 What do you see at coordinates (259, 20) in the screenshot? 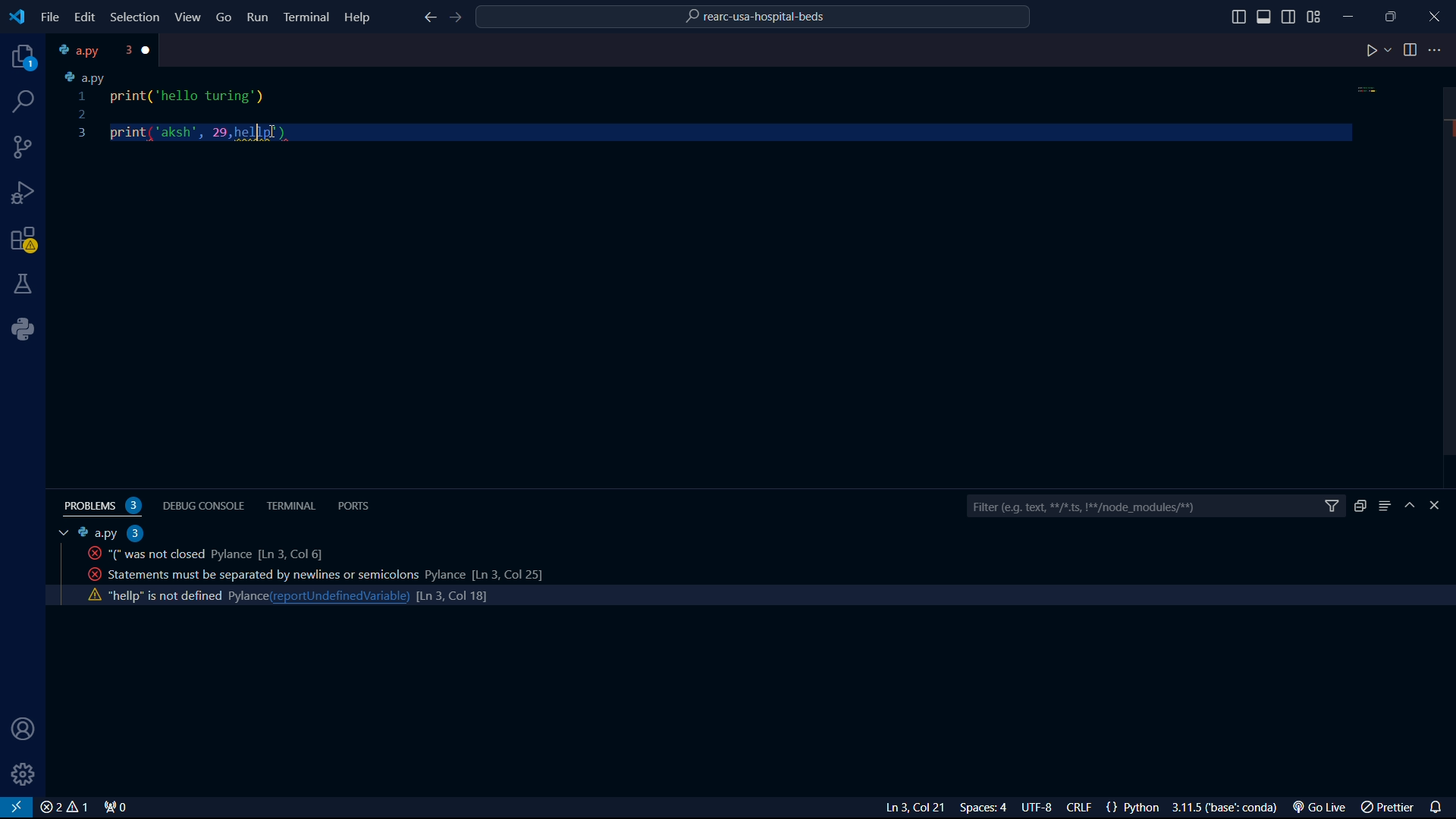
I see `Run` at bounding box center [259, 20].